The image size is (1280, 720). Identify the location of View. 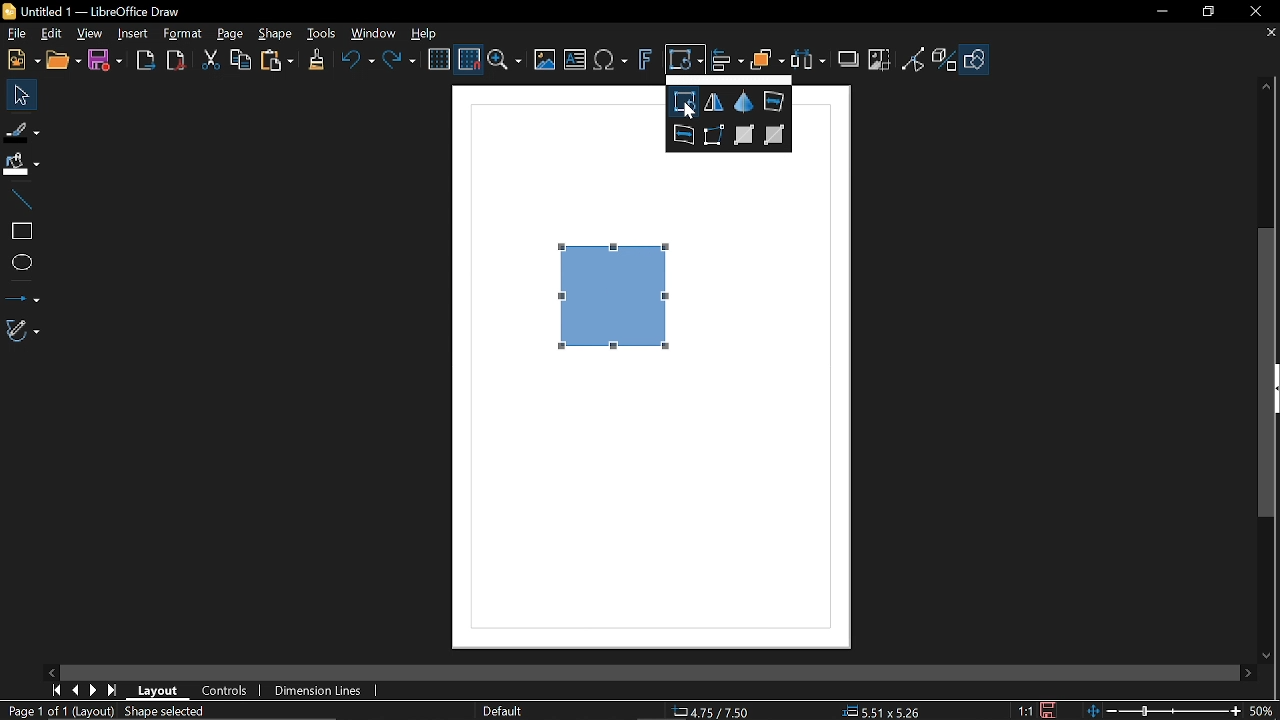
(88, 35).